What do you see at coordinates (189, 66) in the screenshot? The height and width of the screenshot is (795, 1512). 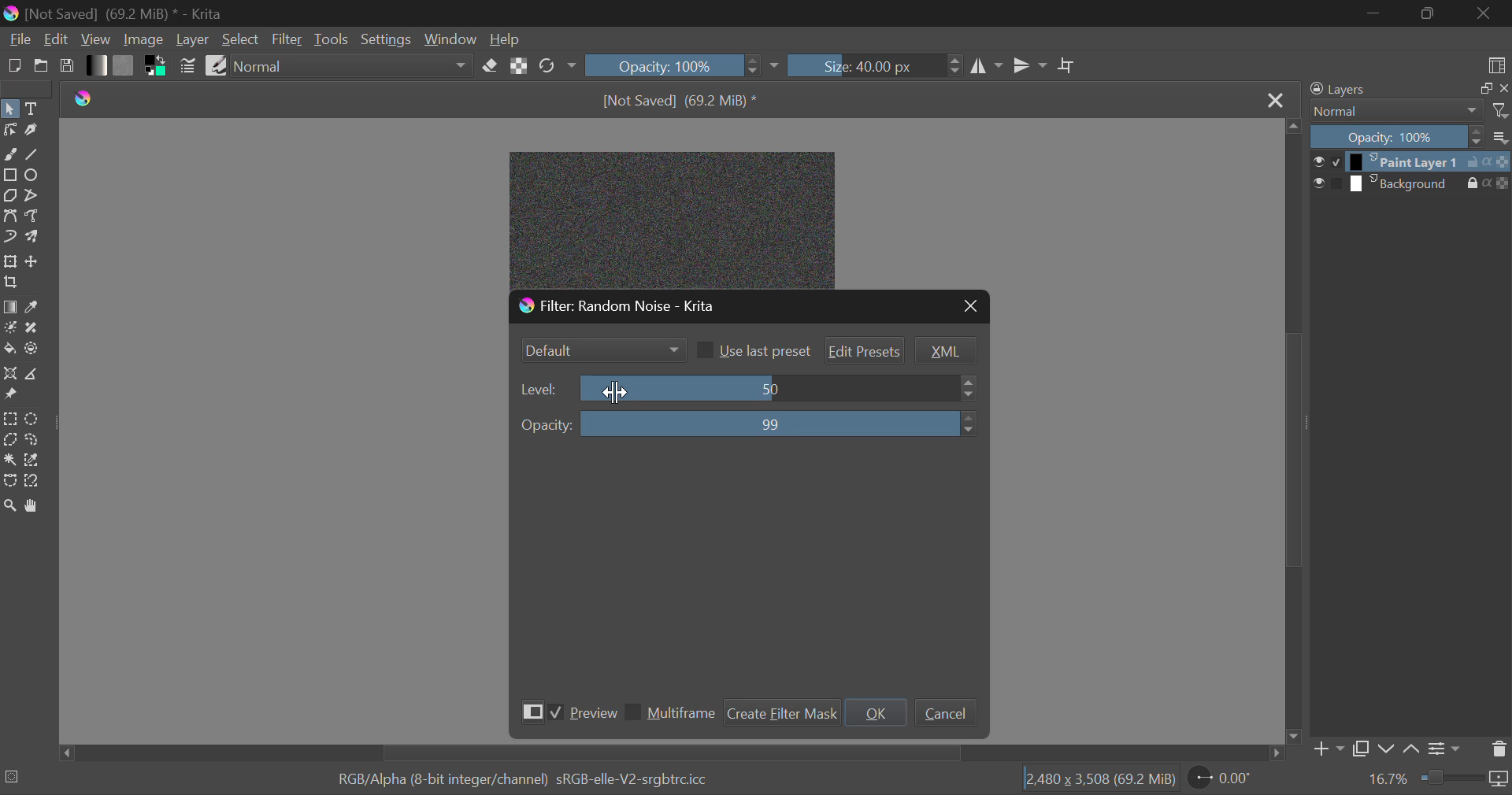 I see `Brush Settings` at bounding box center [189, 66].